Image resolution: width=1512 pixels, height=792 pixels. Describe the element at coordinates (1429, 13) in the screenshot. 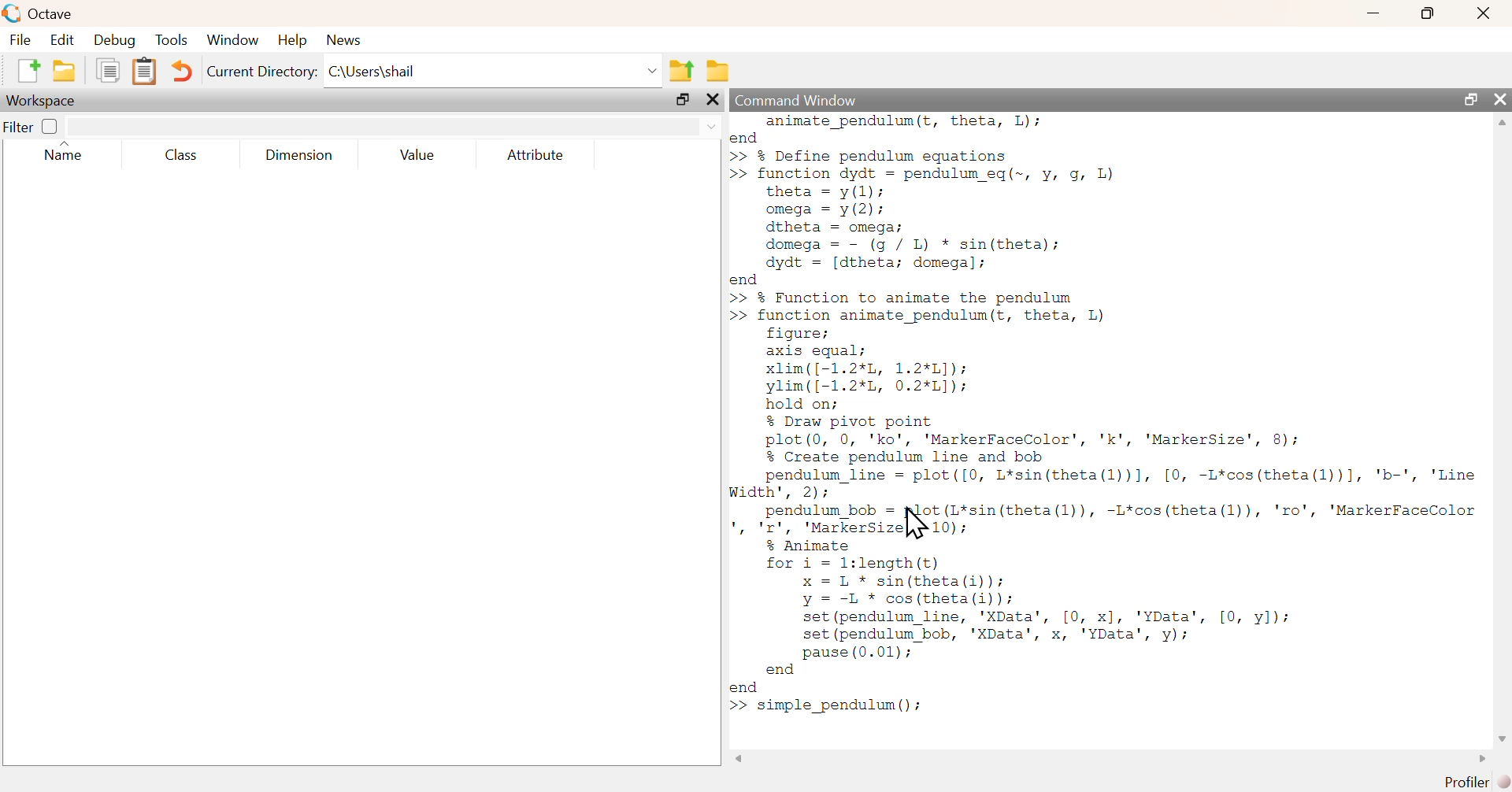

I see `Maximize` at that location.